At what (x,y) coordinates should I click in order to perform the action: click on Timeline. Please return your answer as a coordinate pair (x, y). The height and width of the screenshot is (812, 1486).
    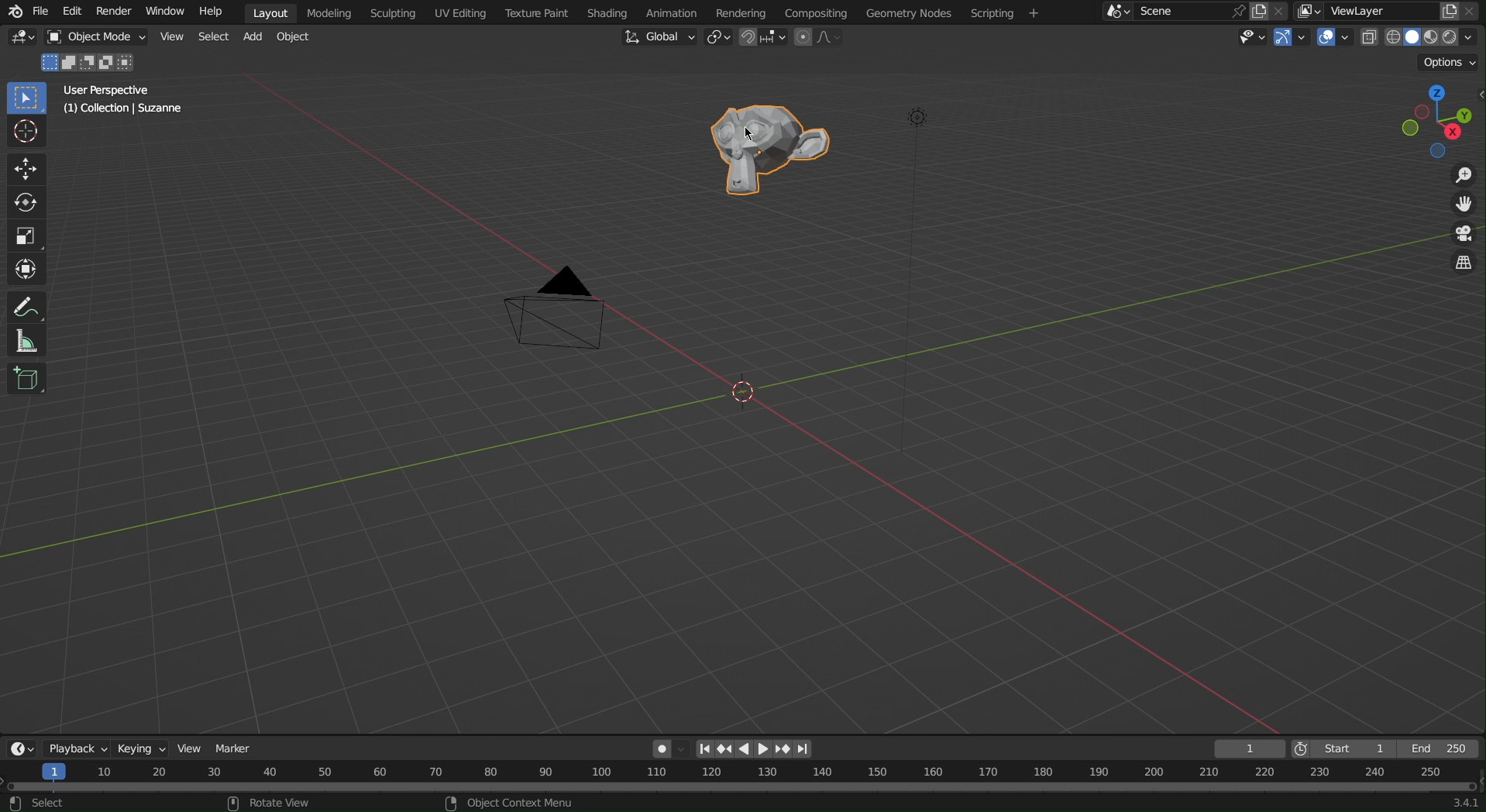
    Looking at the image, I should click on (743, 777).